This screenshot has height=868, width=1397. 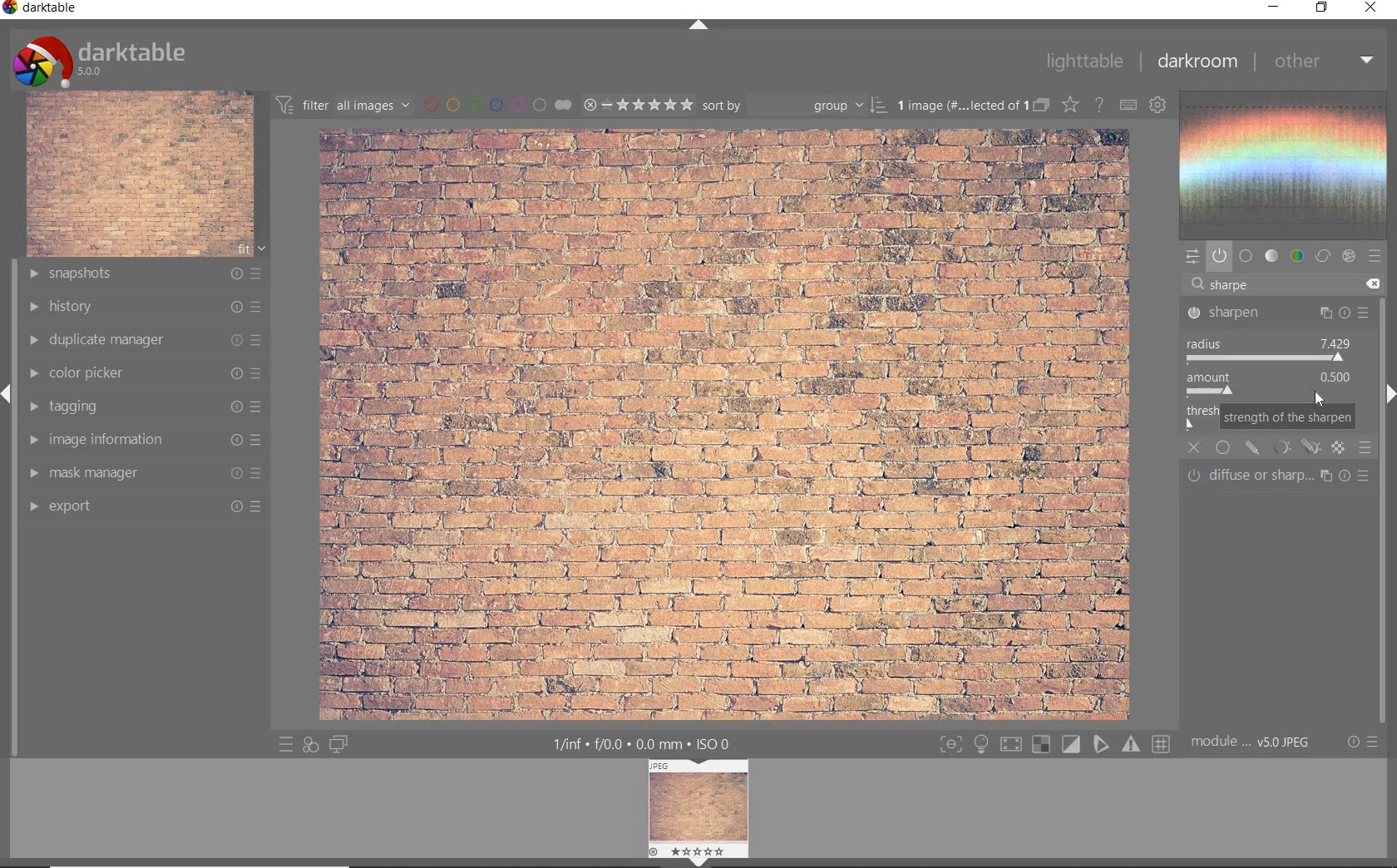 I want to click on base, so click(x=1246, y=256).